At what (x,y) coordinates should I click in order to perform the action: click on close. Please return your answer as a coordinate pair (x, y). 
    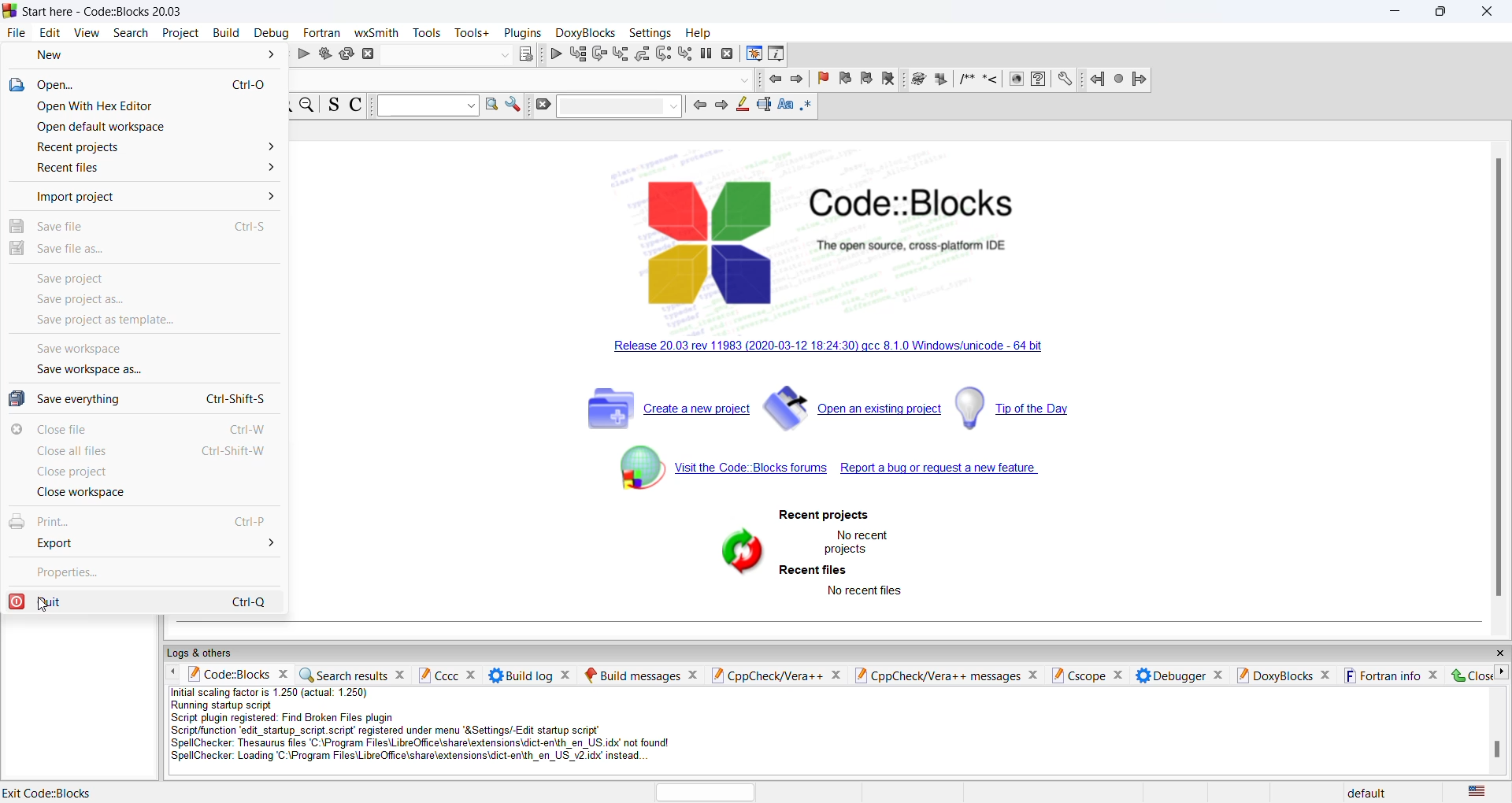
    Looking at the image, I should click on (839, 675).